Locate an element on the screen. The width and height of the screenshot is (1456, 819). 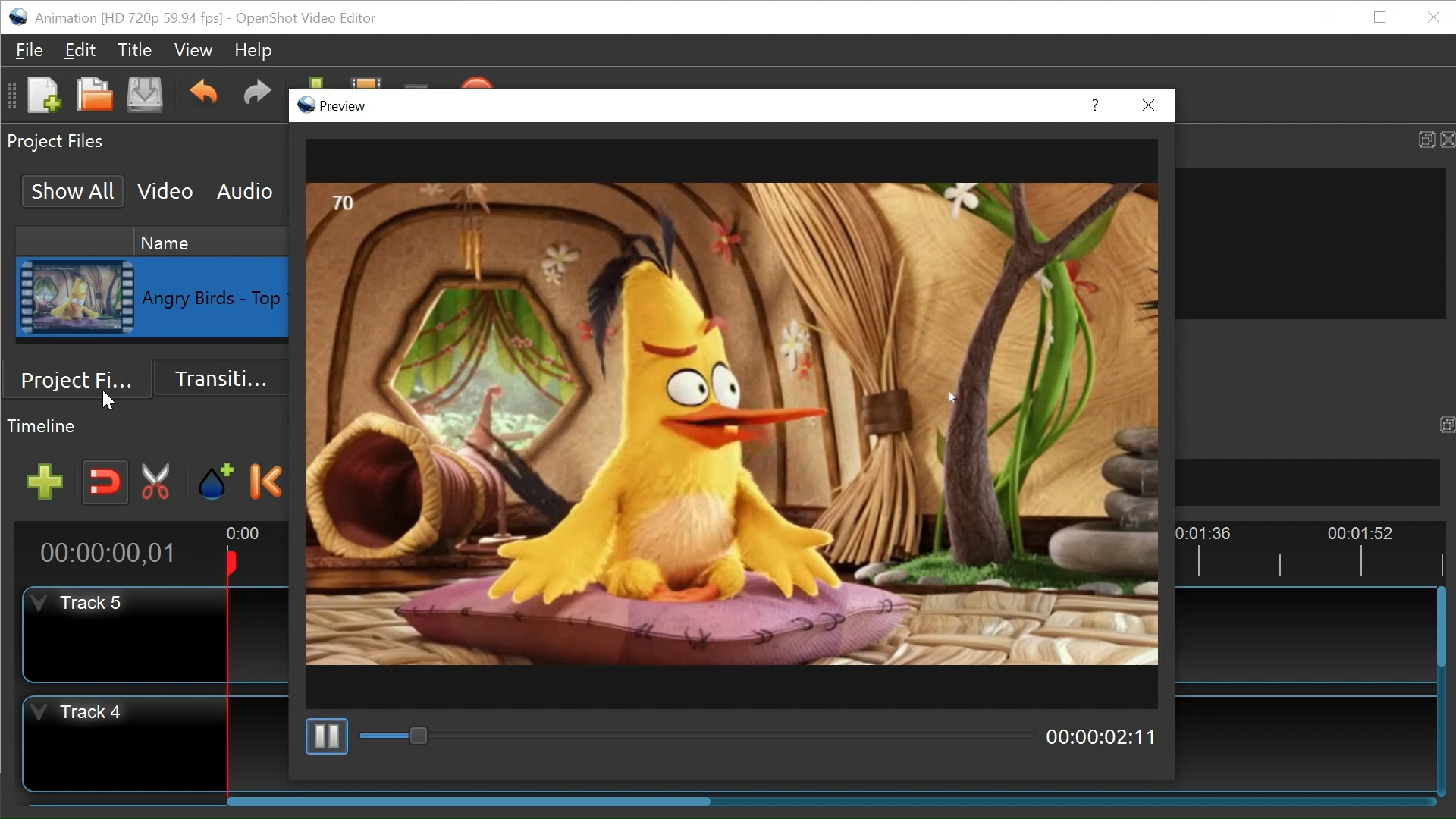
Undo is located at coordinates (202, 93).